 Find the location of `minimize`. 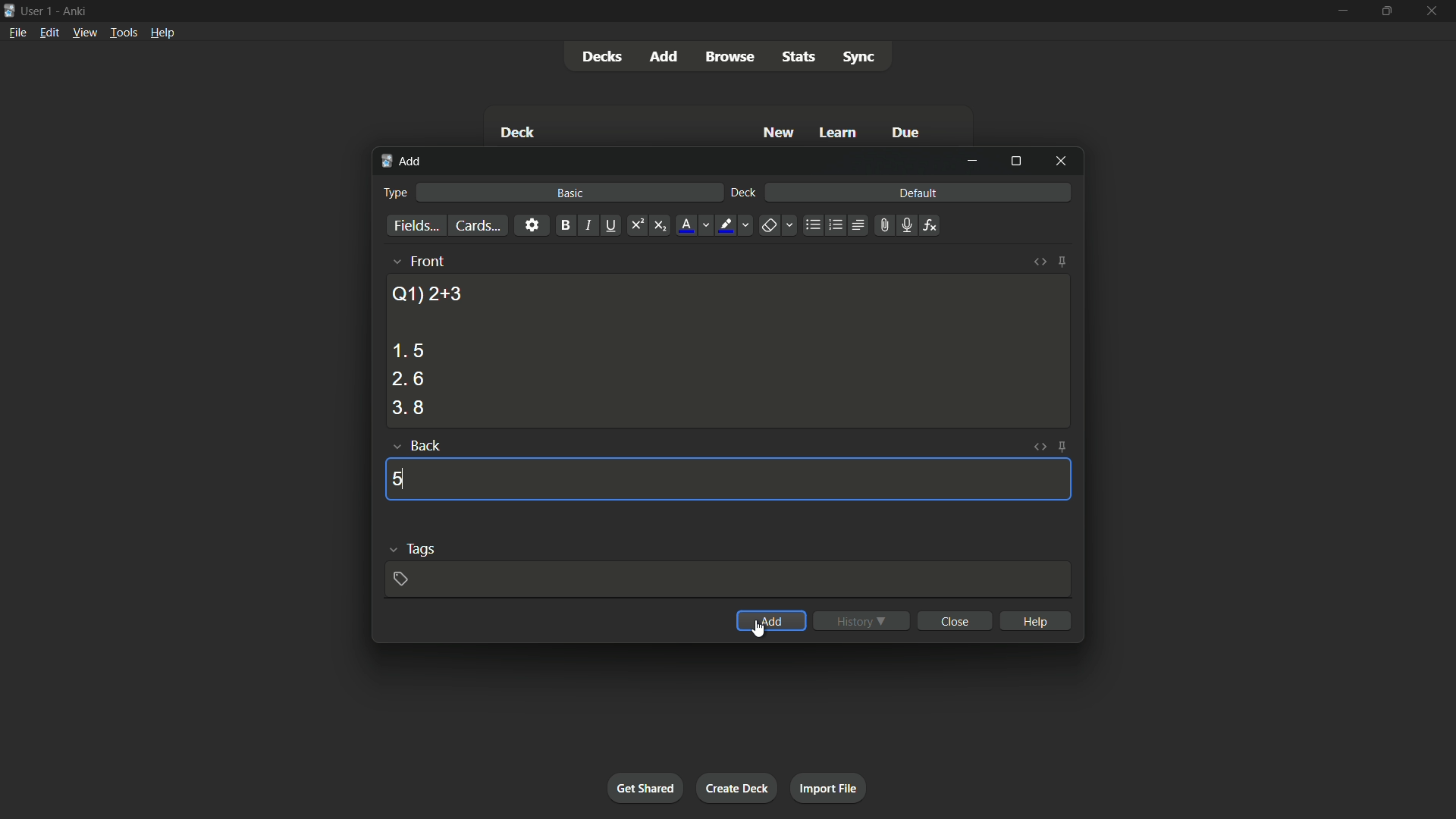

minimize is located at coordinates (1341, 10).